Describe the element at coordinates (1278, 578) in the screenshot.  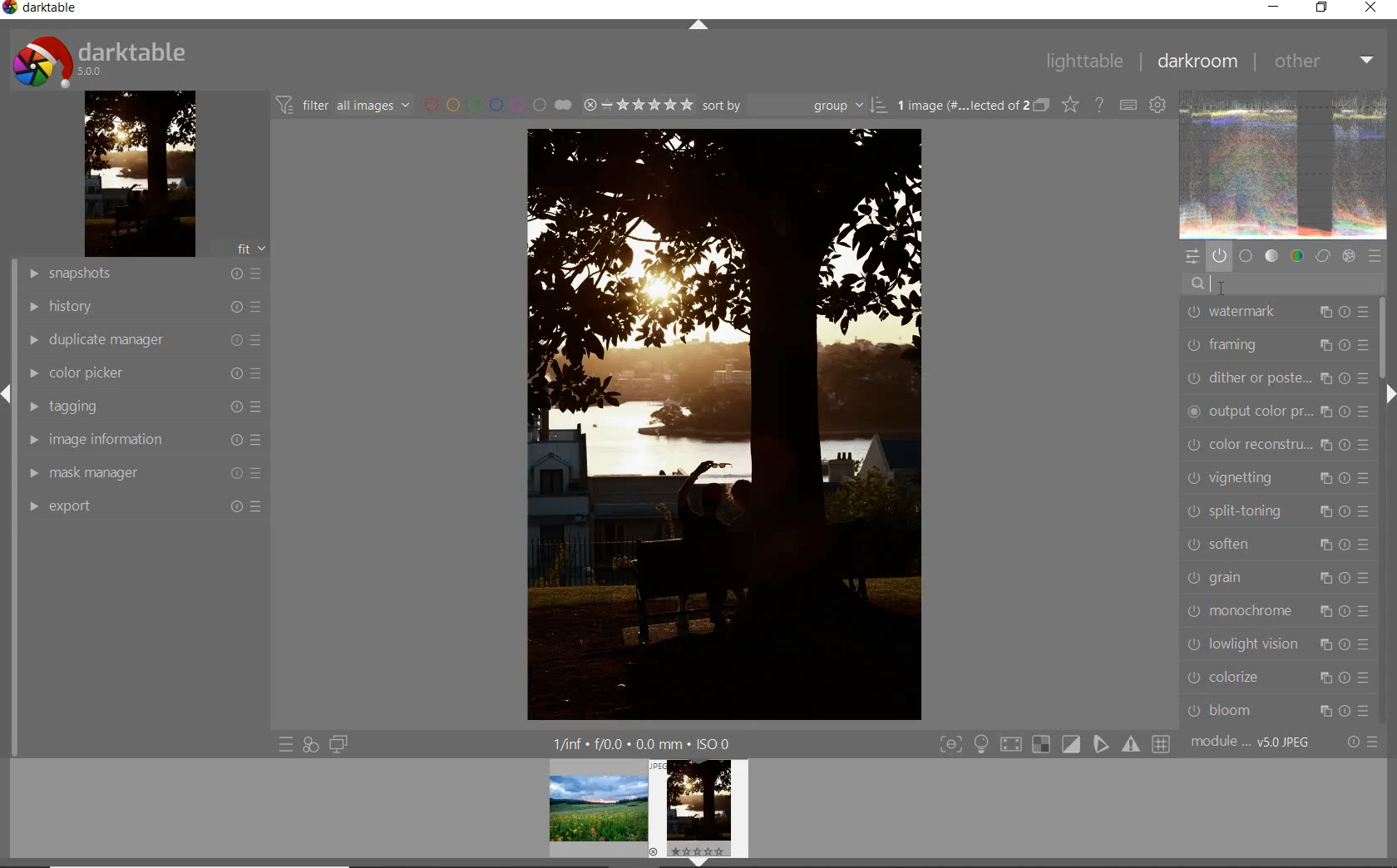
I see `grain` at that location.